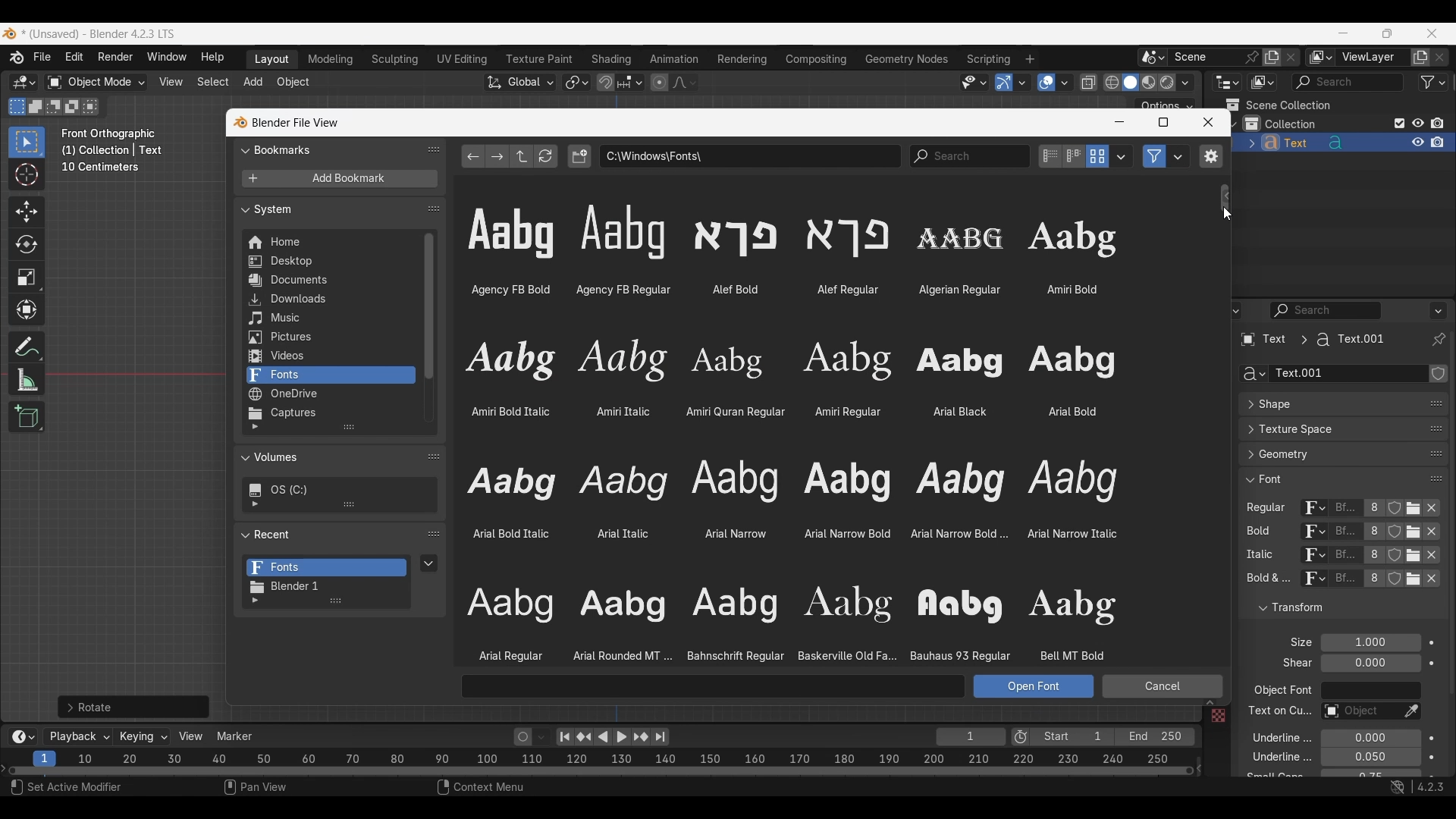 The width and height of the screenshot is (1456, 819). I want to click on Minimize, so click(1119, 122).